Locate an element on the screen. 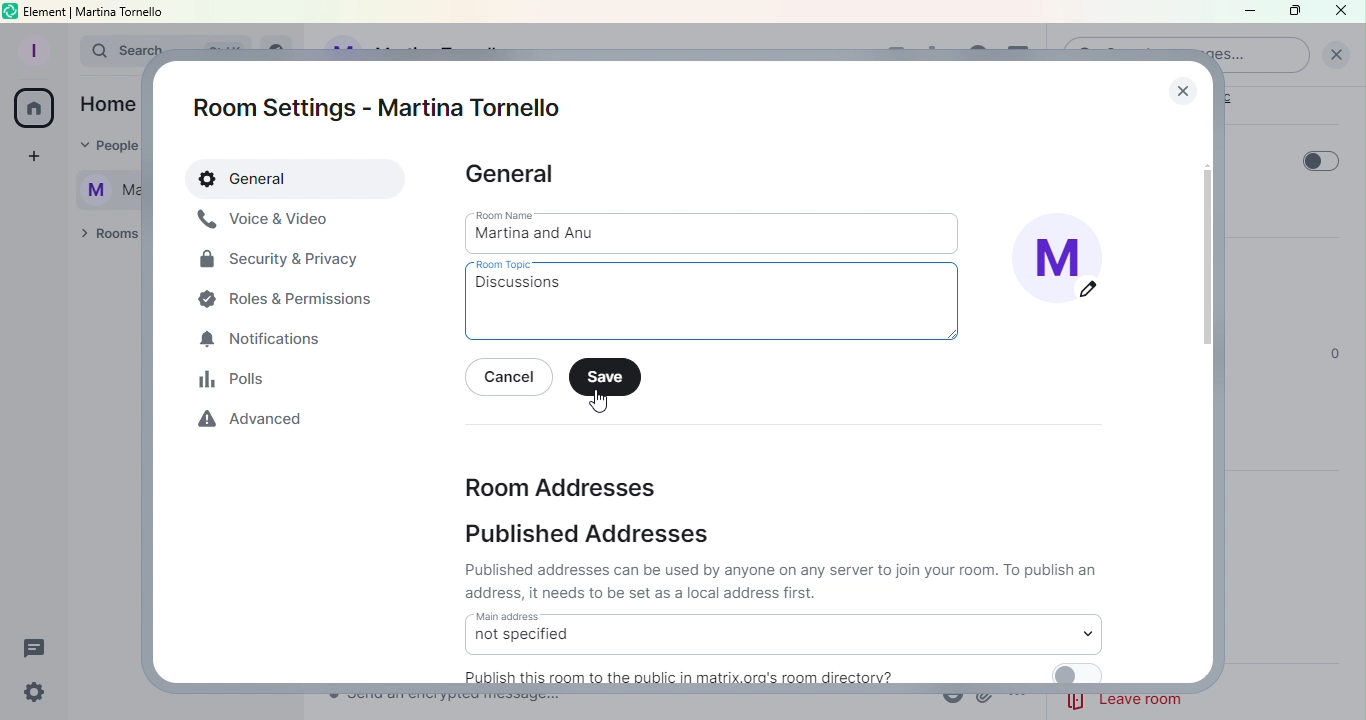  Room topic is located at coordinates (719, 302).